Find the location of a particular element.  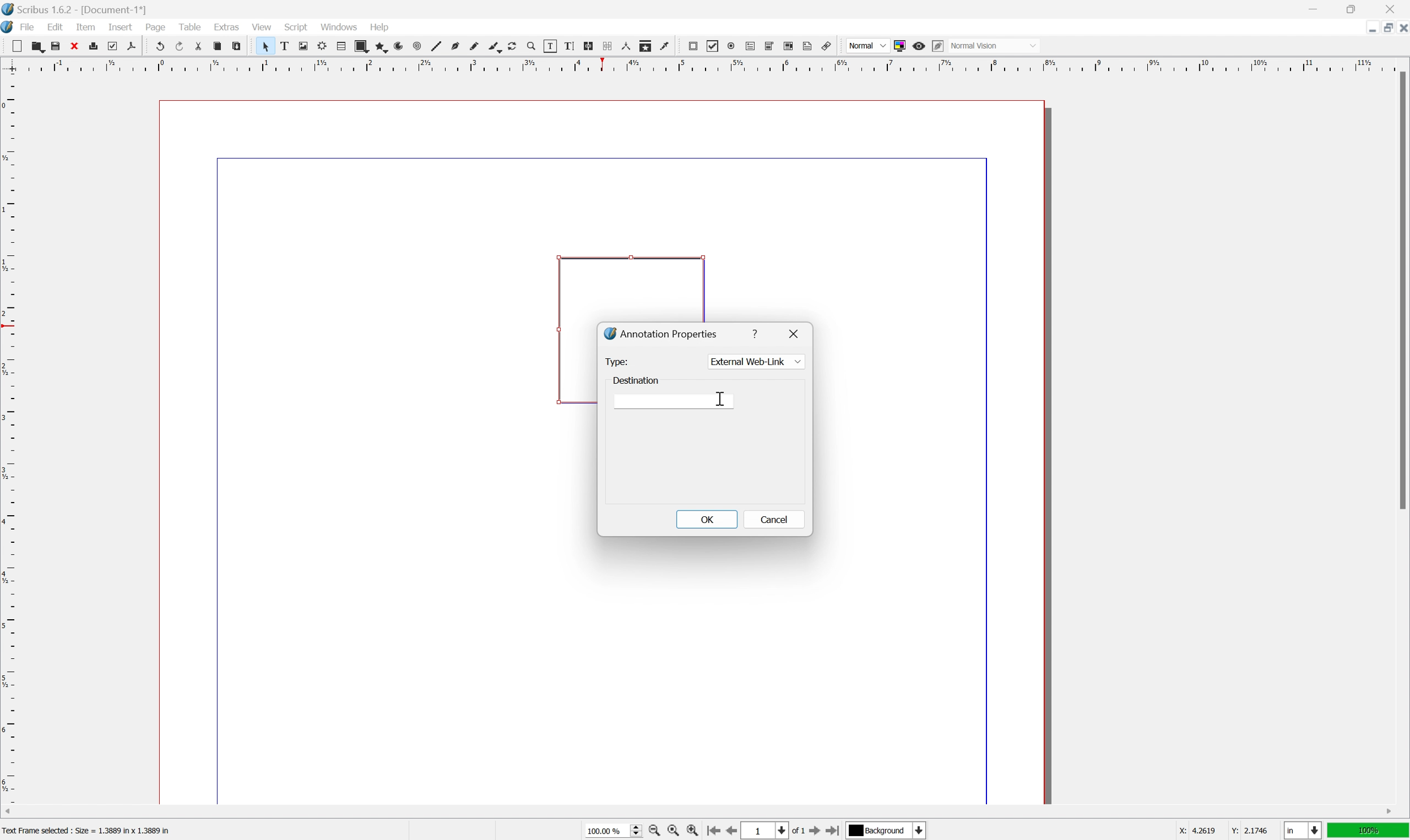

freehand line is located at coordinates (474, 47).